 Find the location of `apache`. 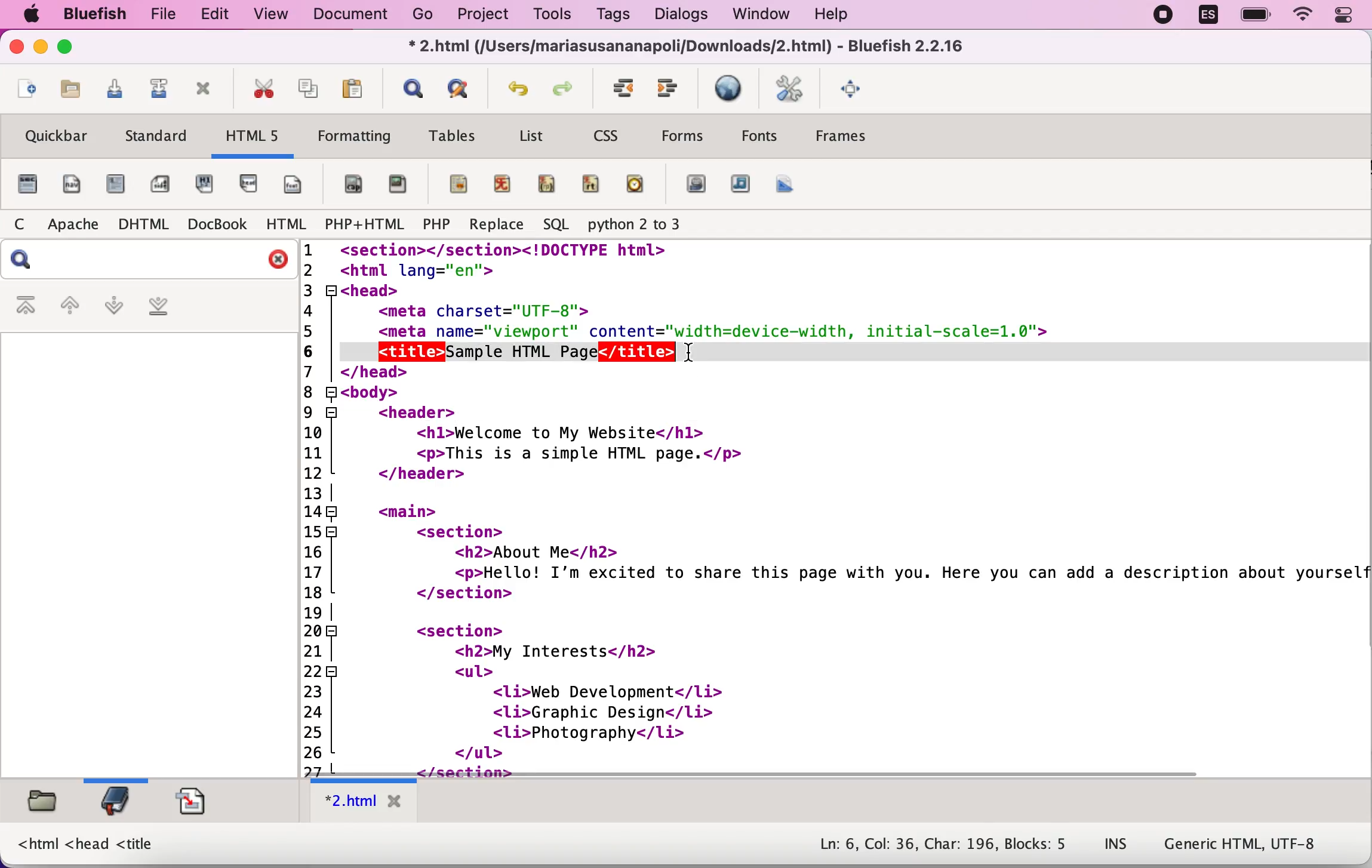

apache is located at coordinates (76, 223).